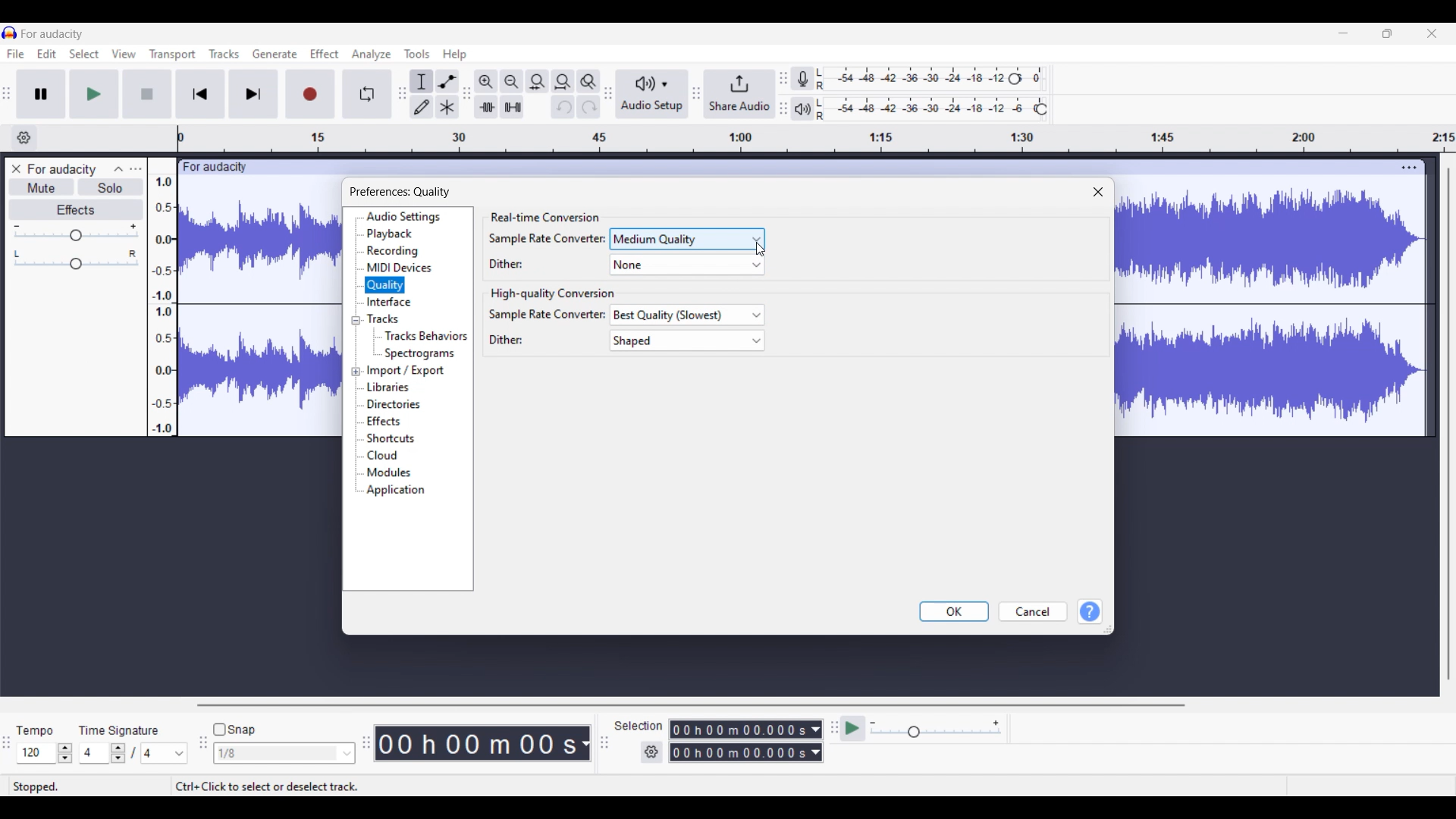 The width and height of the screenshot is (1456, 819). What do you see at coordinates (692, 340) in the screenshot?
I see `shaped` at bounding box center [692, 340].